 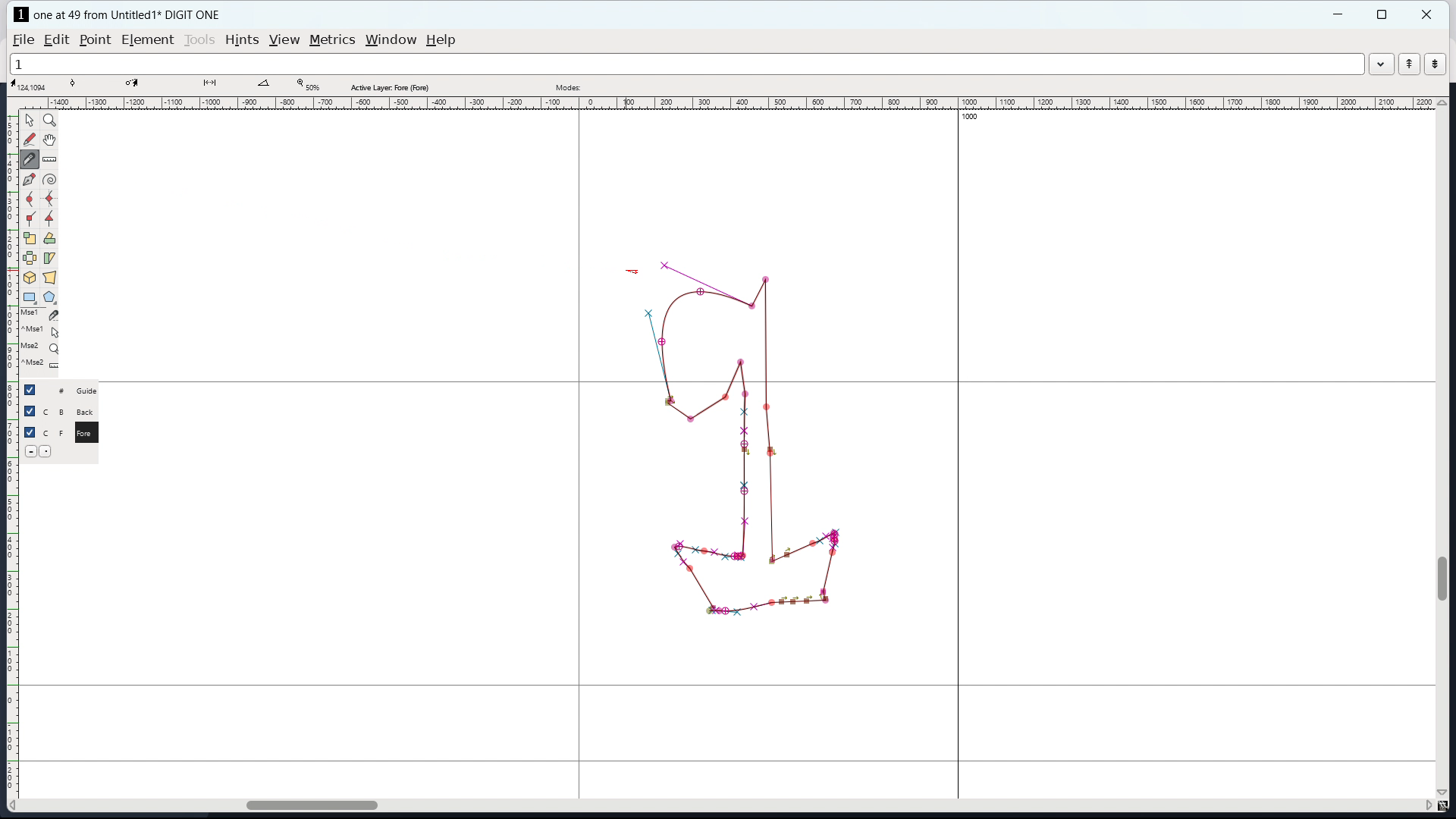 I want to click on vertical ruler, so click(x=12, y=457).